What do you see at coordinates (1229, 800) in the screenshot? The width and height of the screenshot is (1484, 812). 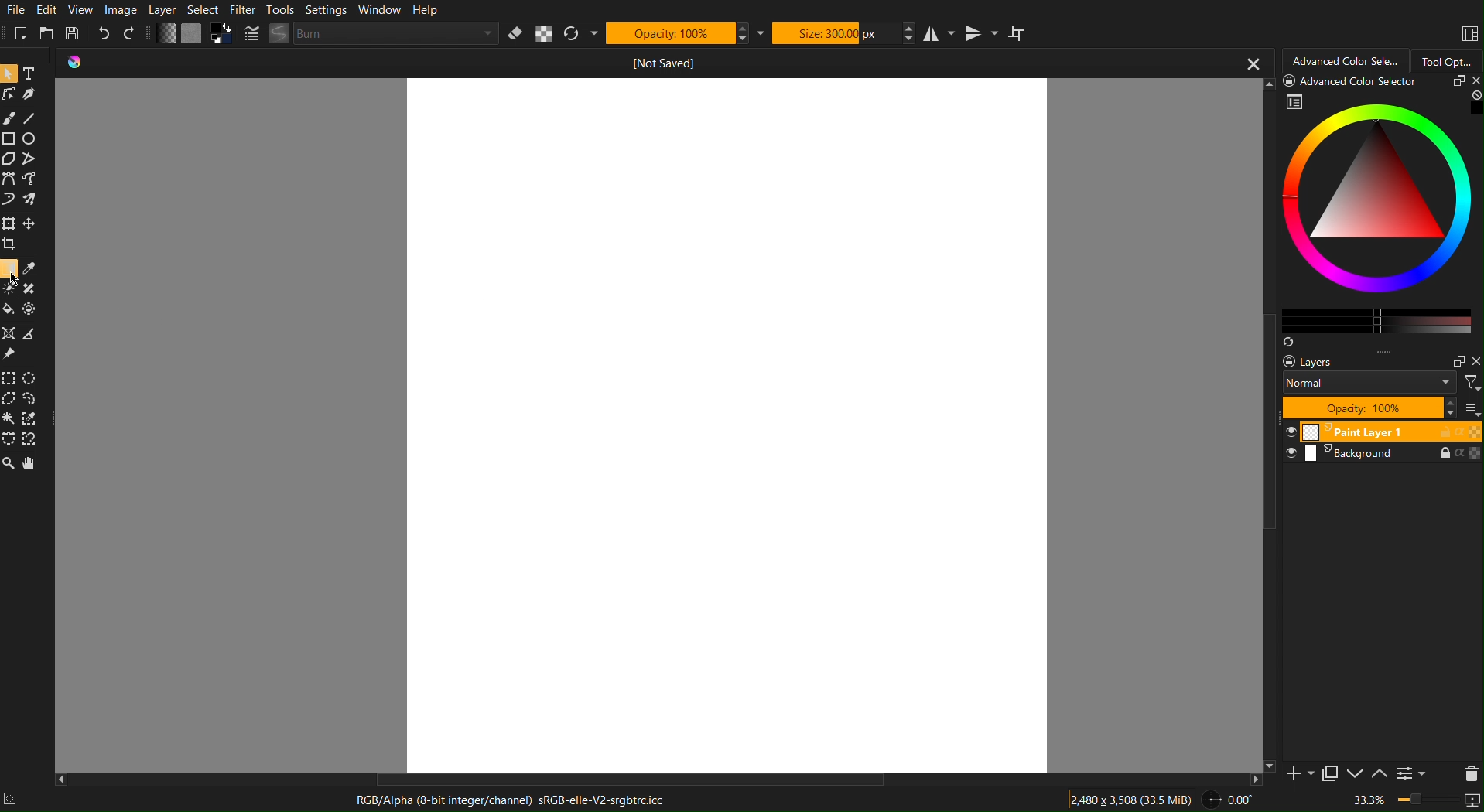 I see `Angle` at bounding box center [1229, 800].